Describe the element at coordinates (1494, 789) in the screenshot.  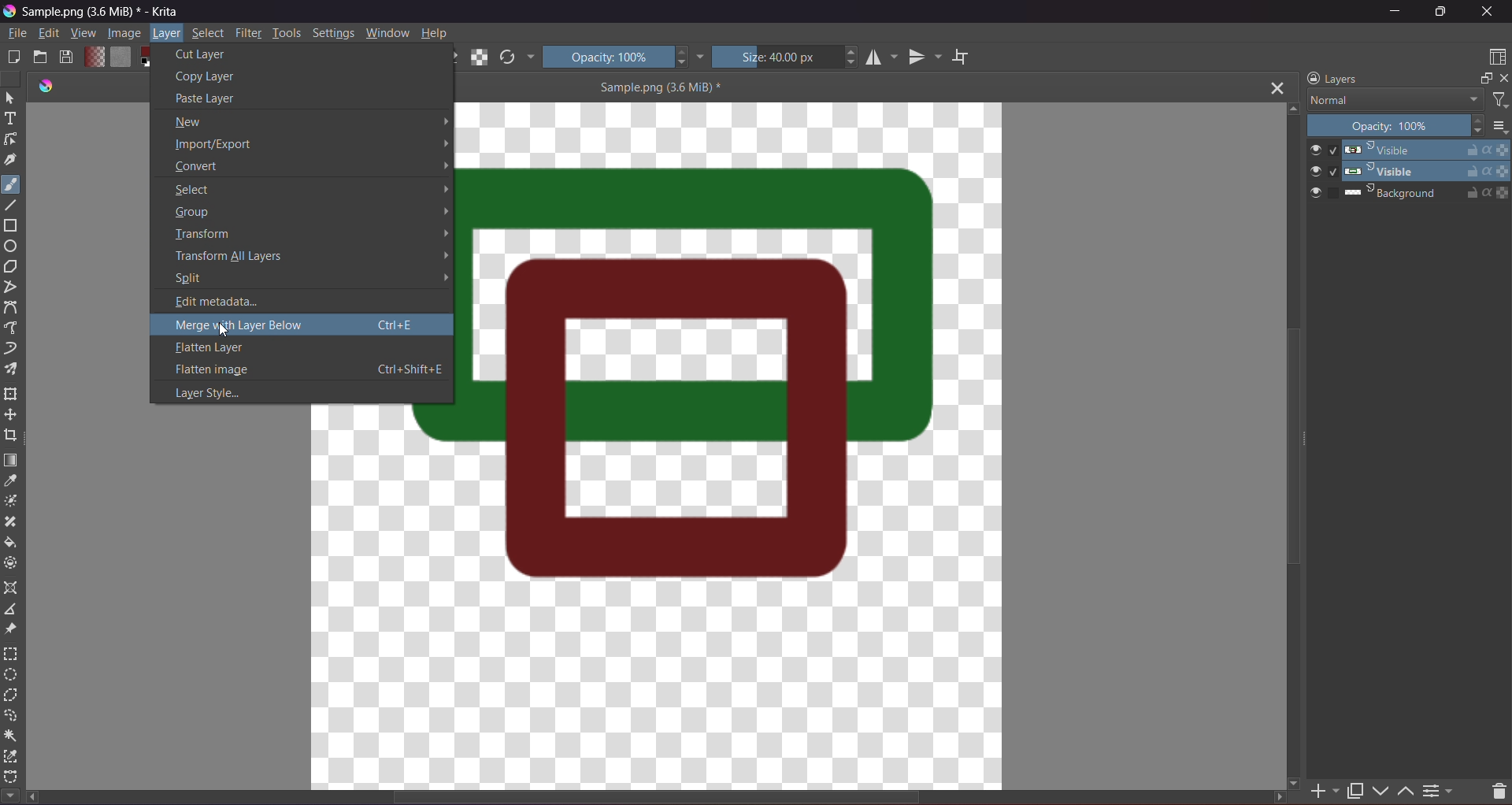
I see `Delete` at that location.